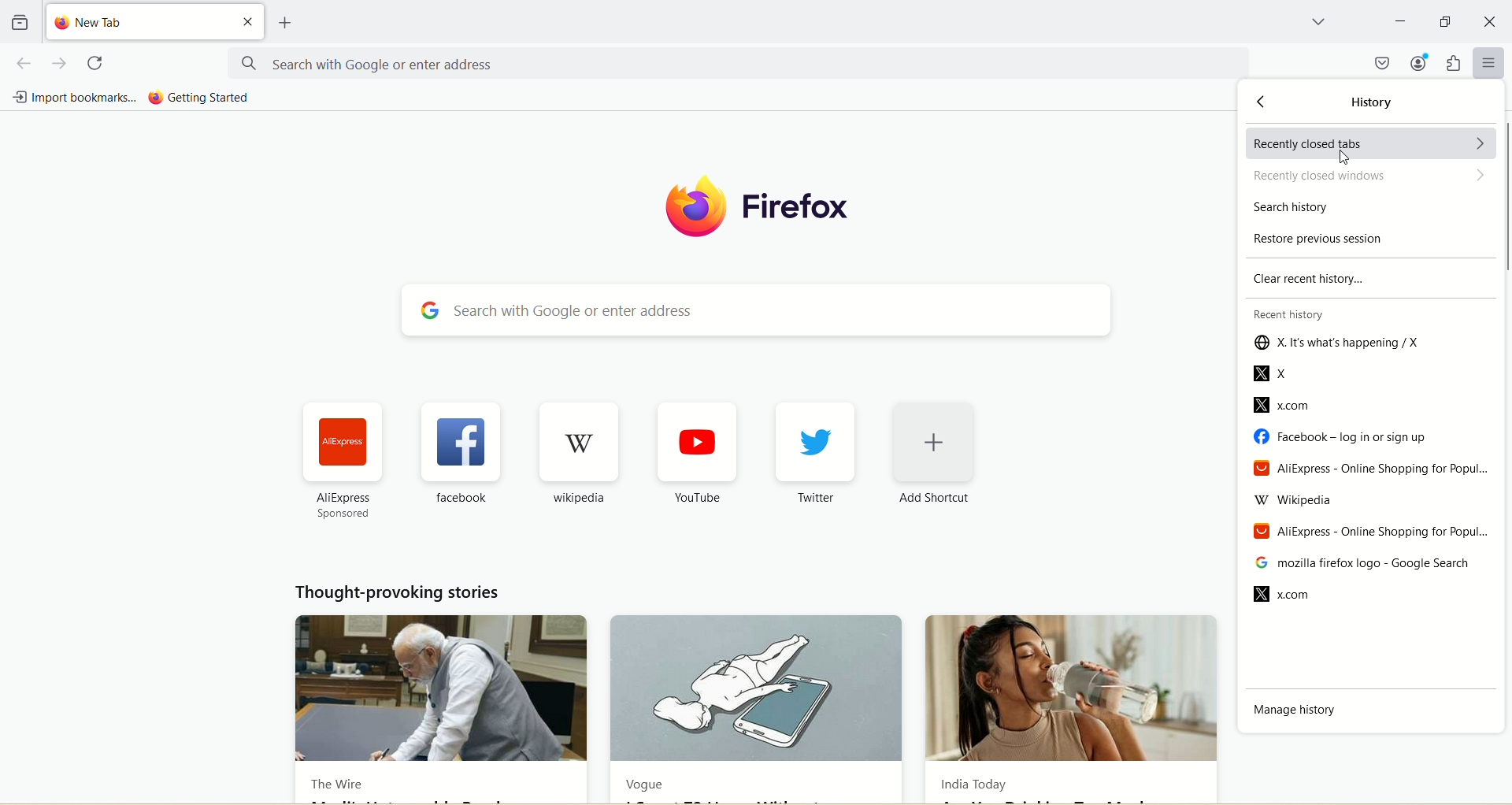 Image resolution: width=1512 pixels, height=805 pixels. I want to click on Vogue, so click(758, 689).